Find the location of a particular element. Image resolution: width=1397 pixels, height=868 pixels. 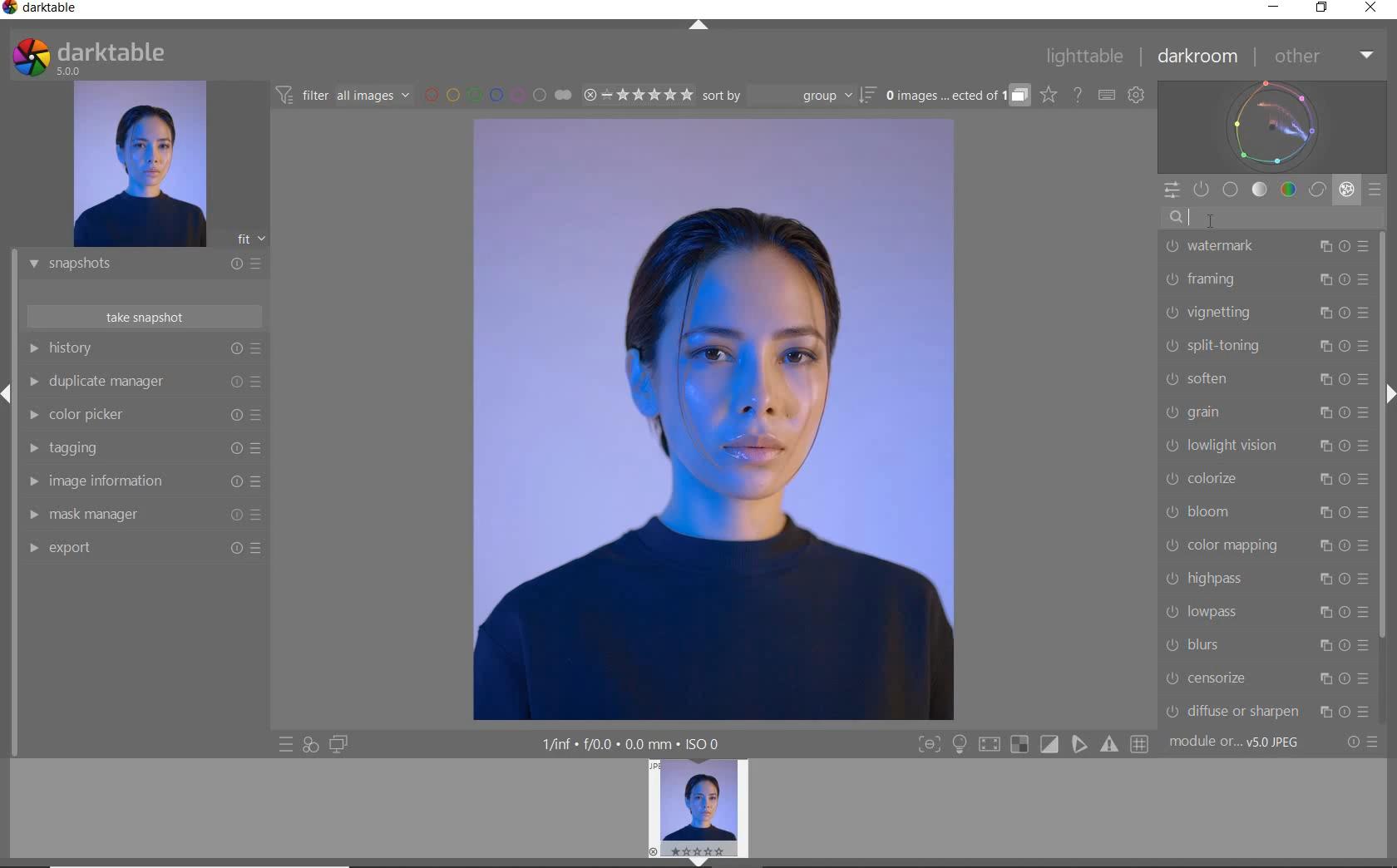

COLORIZE is located at coordinates (1266, 479).